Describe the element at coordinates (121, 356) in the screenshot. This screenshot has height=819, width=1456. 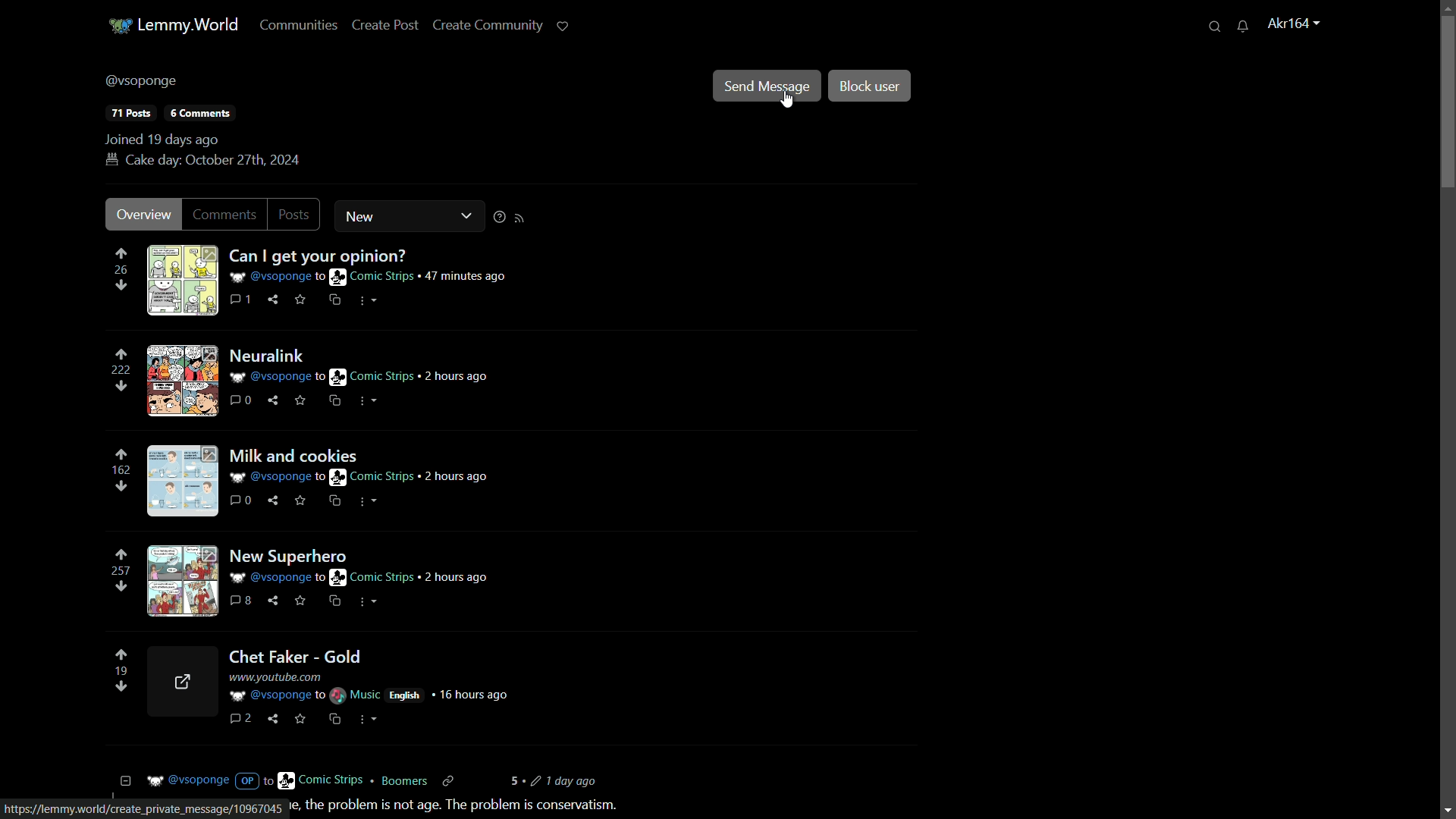
I see `upvote` at that location.